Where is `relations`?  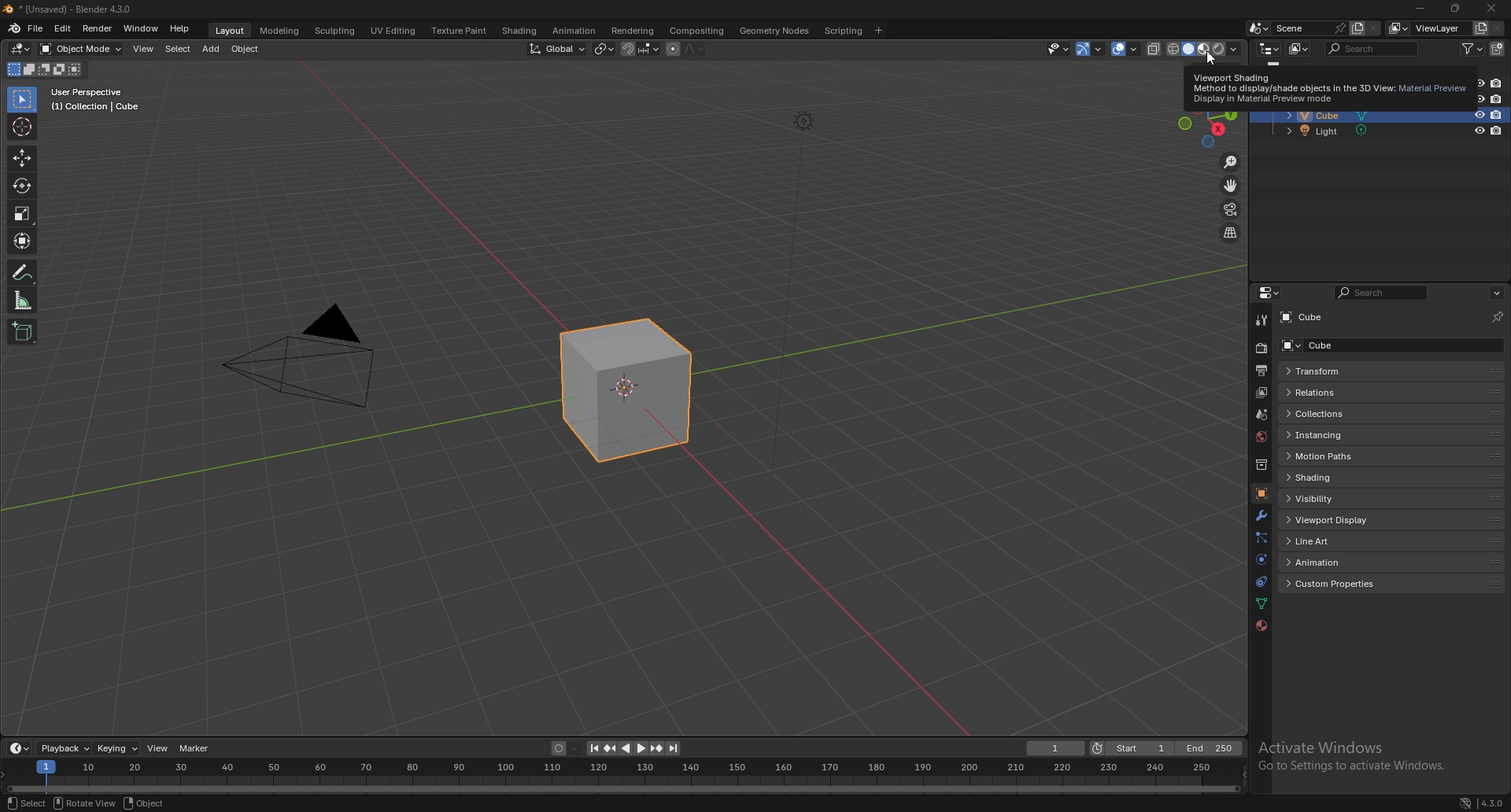 relations is located at coordinates (1363, 392).